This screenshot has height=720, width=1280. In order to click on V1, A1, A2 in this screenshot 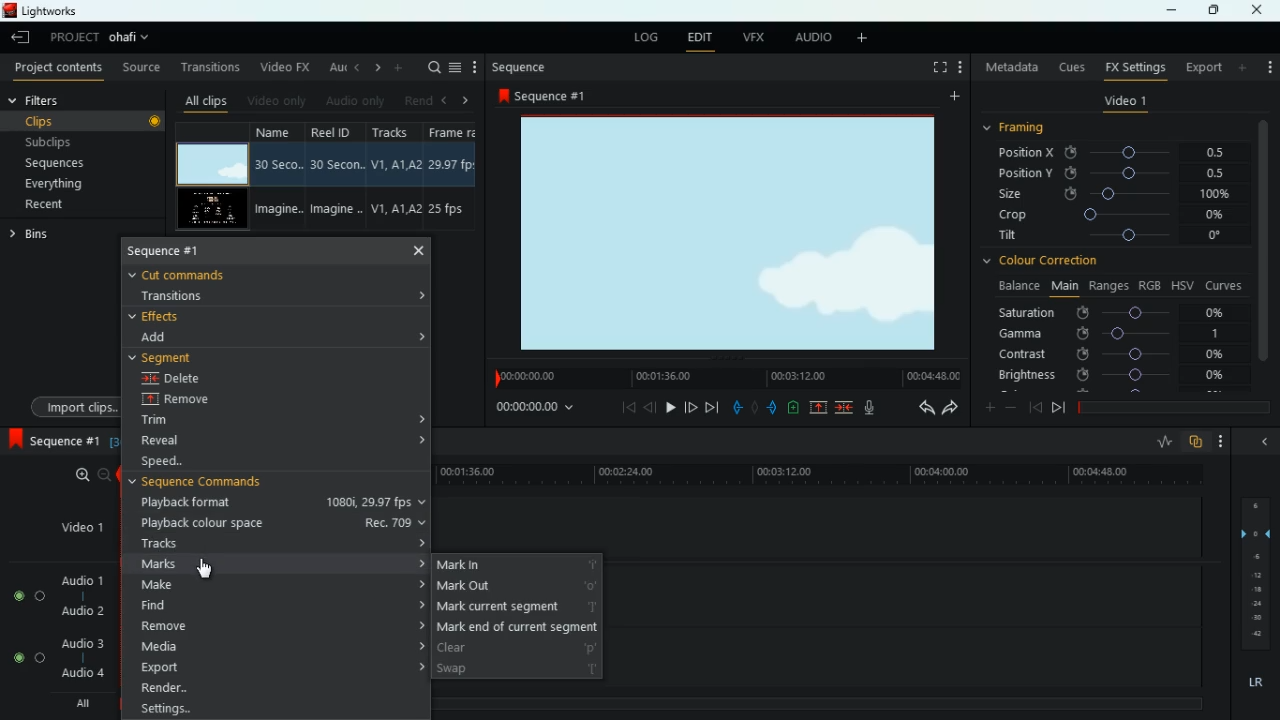, I will do `click(396, 210)`.